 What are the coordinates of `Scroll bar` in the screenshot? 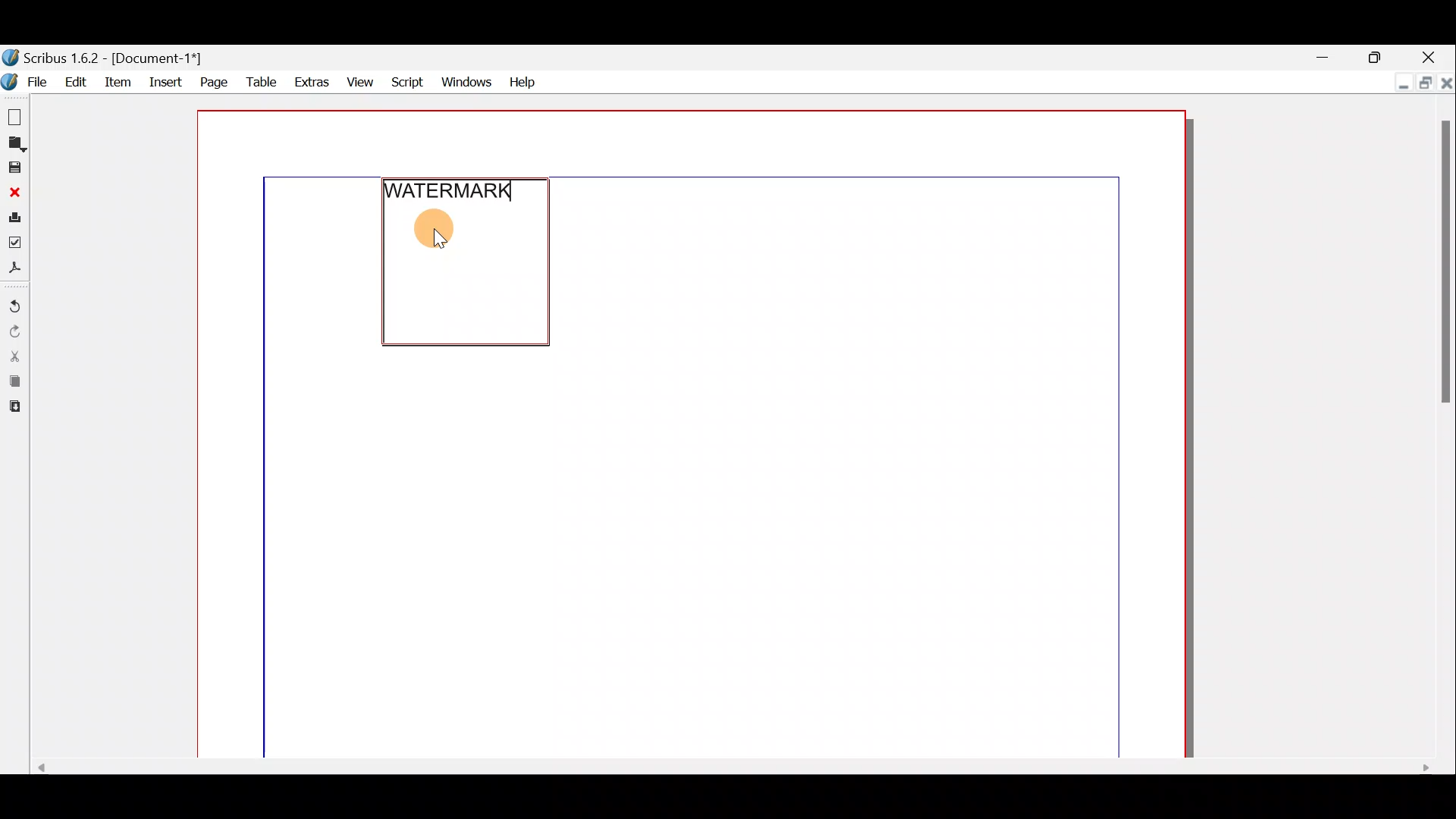 It's located at (724, 766).